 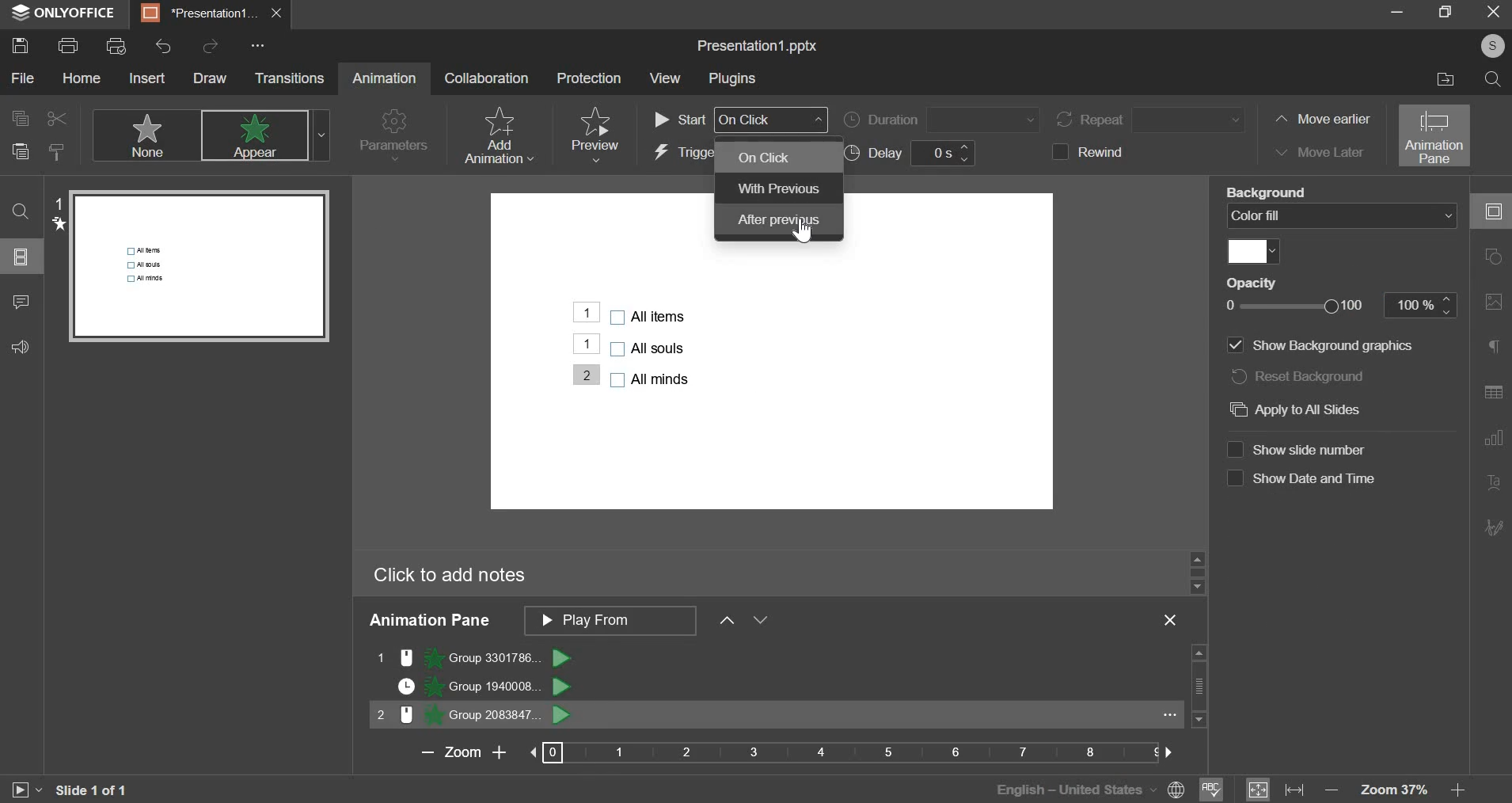 What do you see at coordinates (20, 304) in the screenshot?
I see `comment` at bounding box center [20, 304].